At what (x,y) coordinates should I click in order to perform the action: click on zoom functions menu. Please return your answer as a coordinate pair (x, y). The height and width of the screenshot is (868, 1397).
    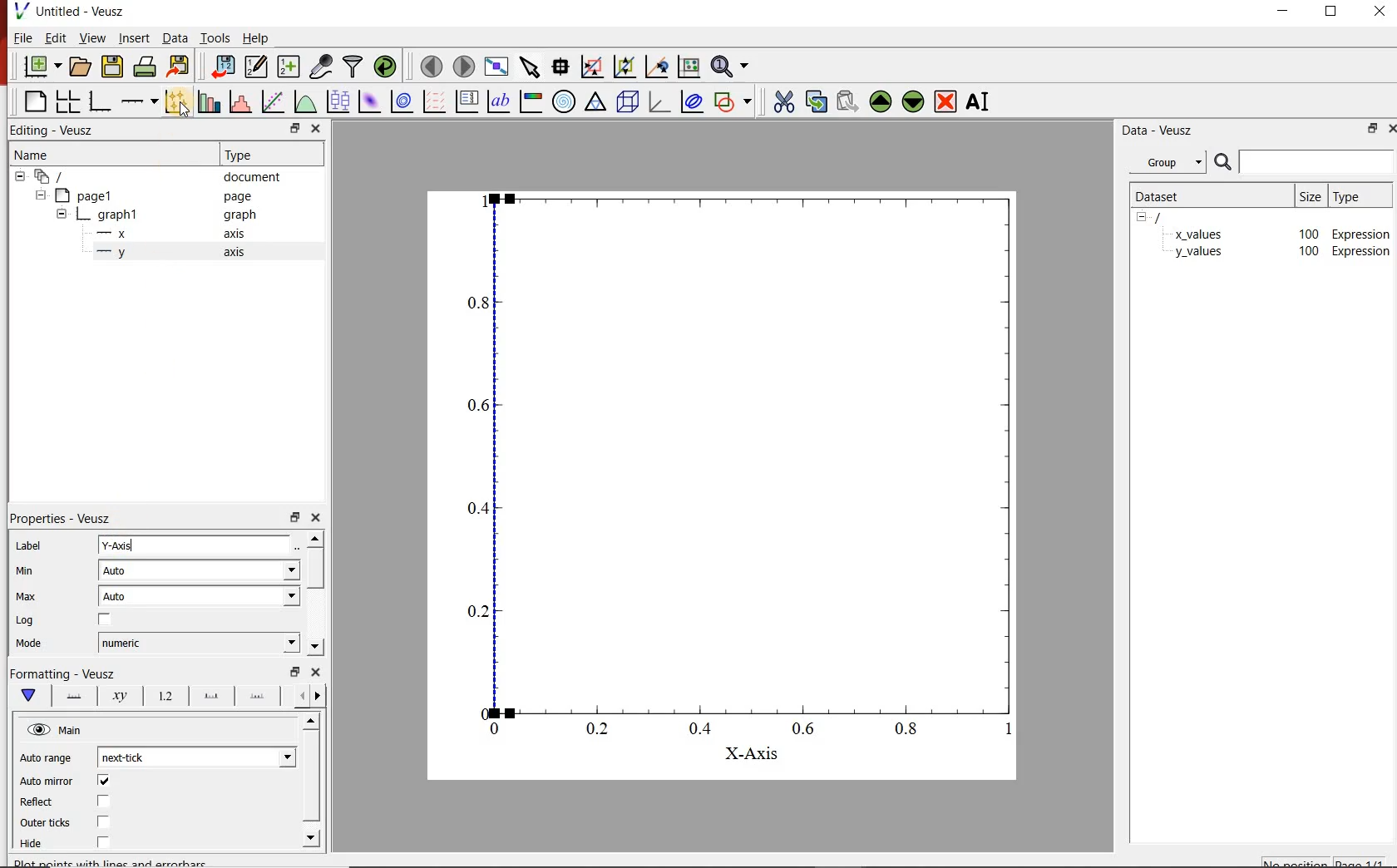
    Looking at the image, I should click on (730, 68).